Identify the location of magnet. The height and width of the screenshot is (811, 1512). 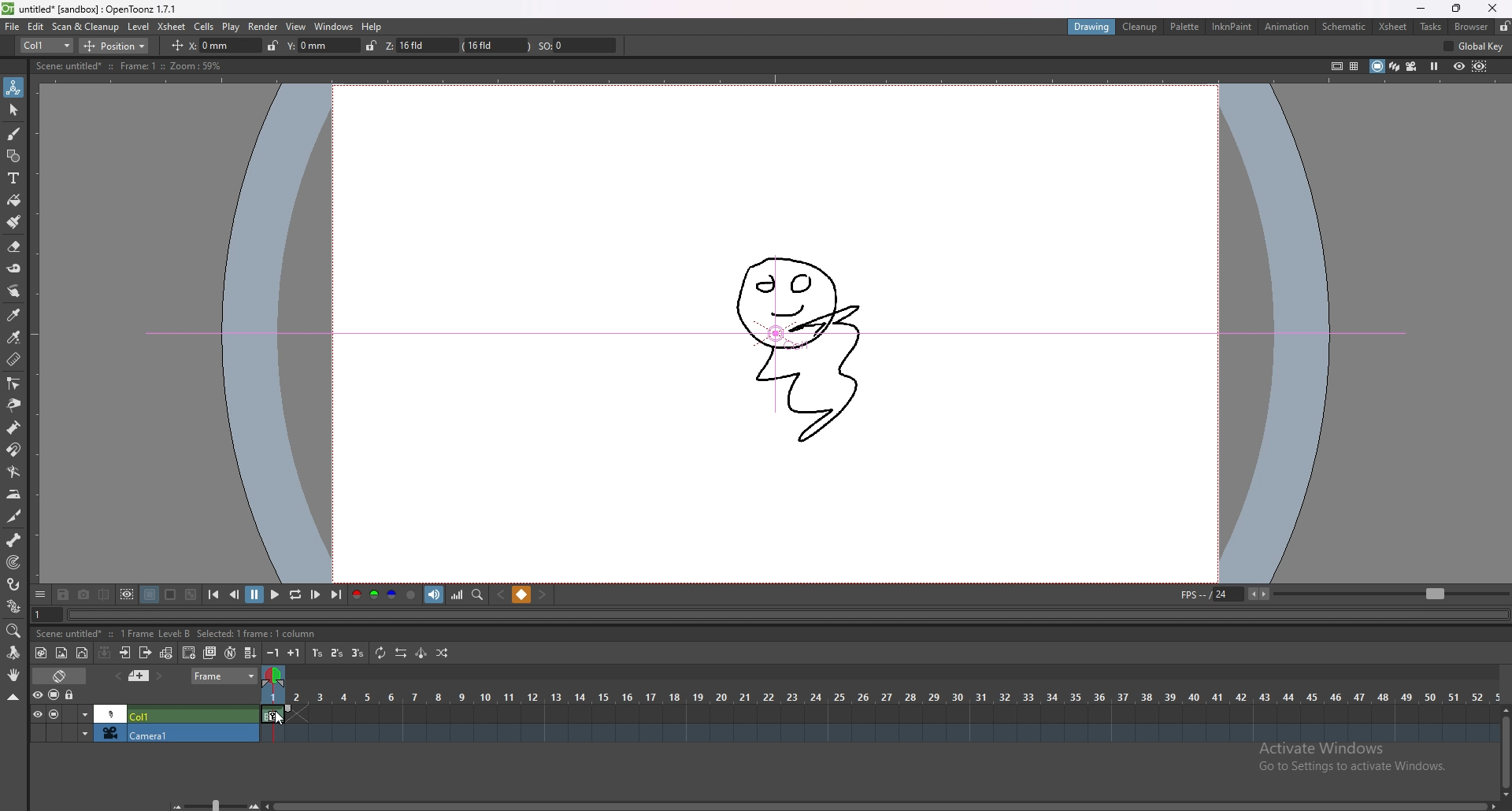
(13, 450).